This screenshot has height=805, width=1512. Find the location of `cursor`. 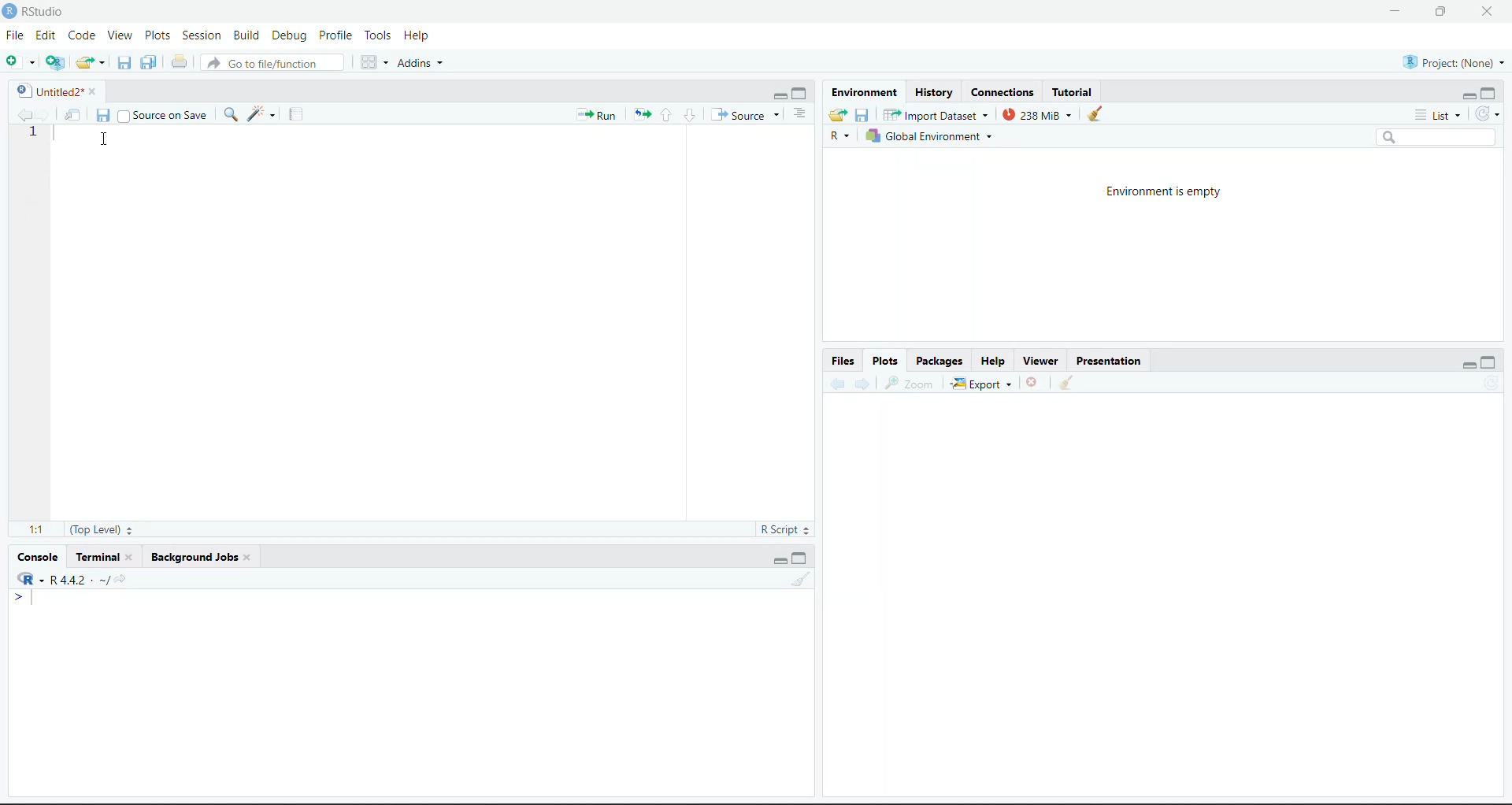

cursor is located at coordinates (103, 139).